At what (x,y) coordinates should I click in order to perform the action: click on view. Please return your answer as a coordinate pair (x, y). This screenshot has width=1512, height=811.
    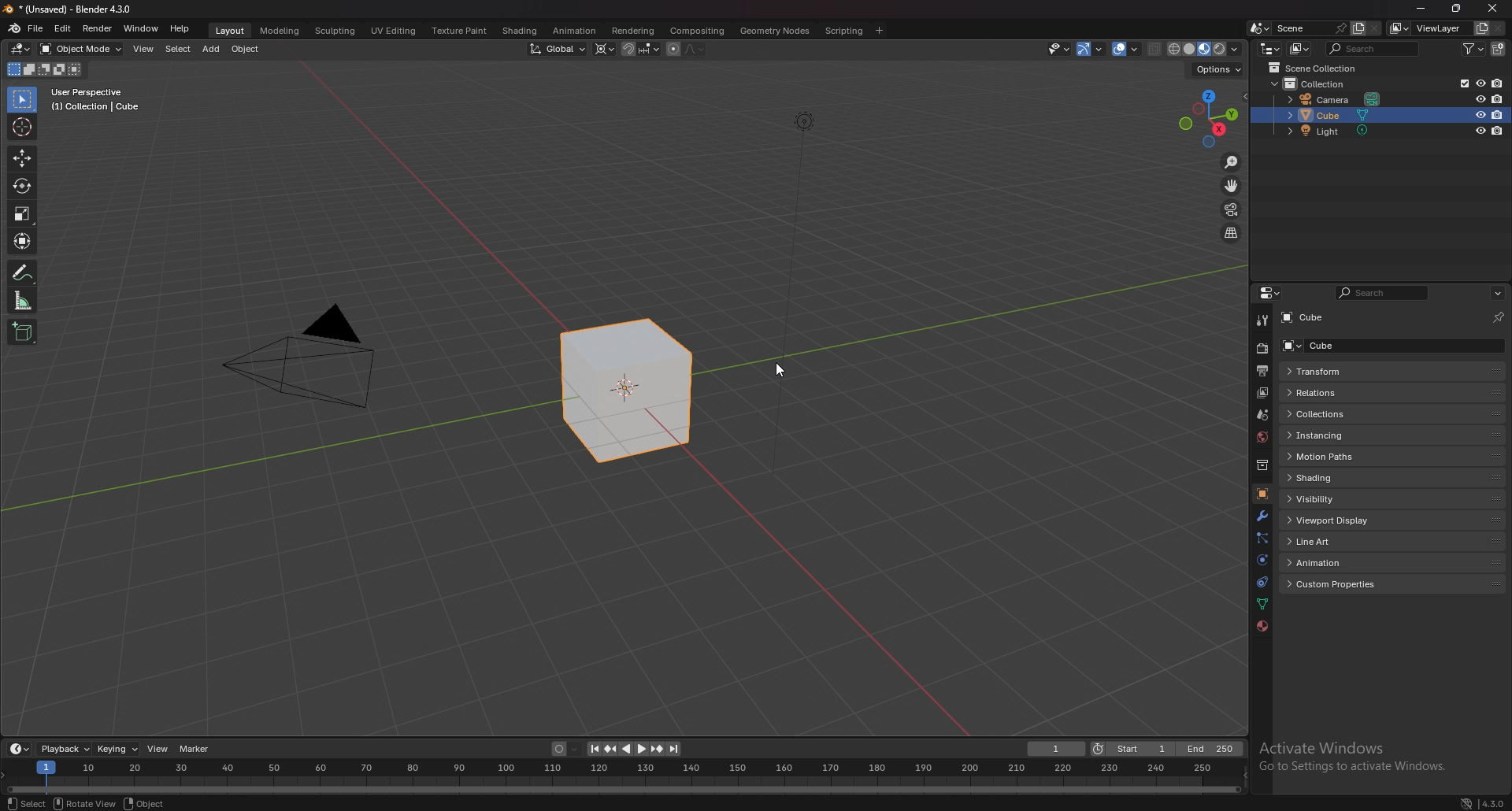
    Looking at the image, I should click on (143, 49).